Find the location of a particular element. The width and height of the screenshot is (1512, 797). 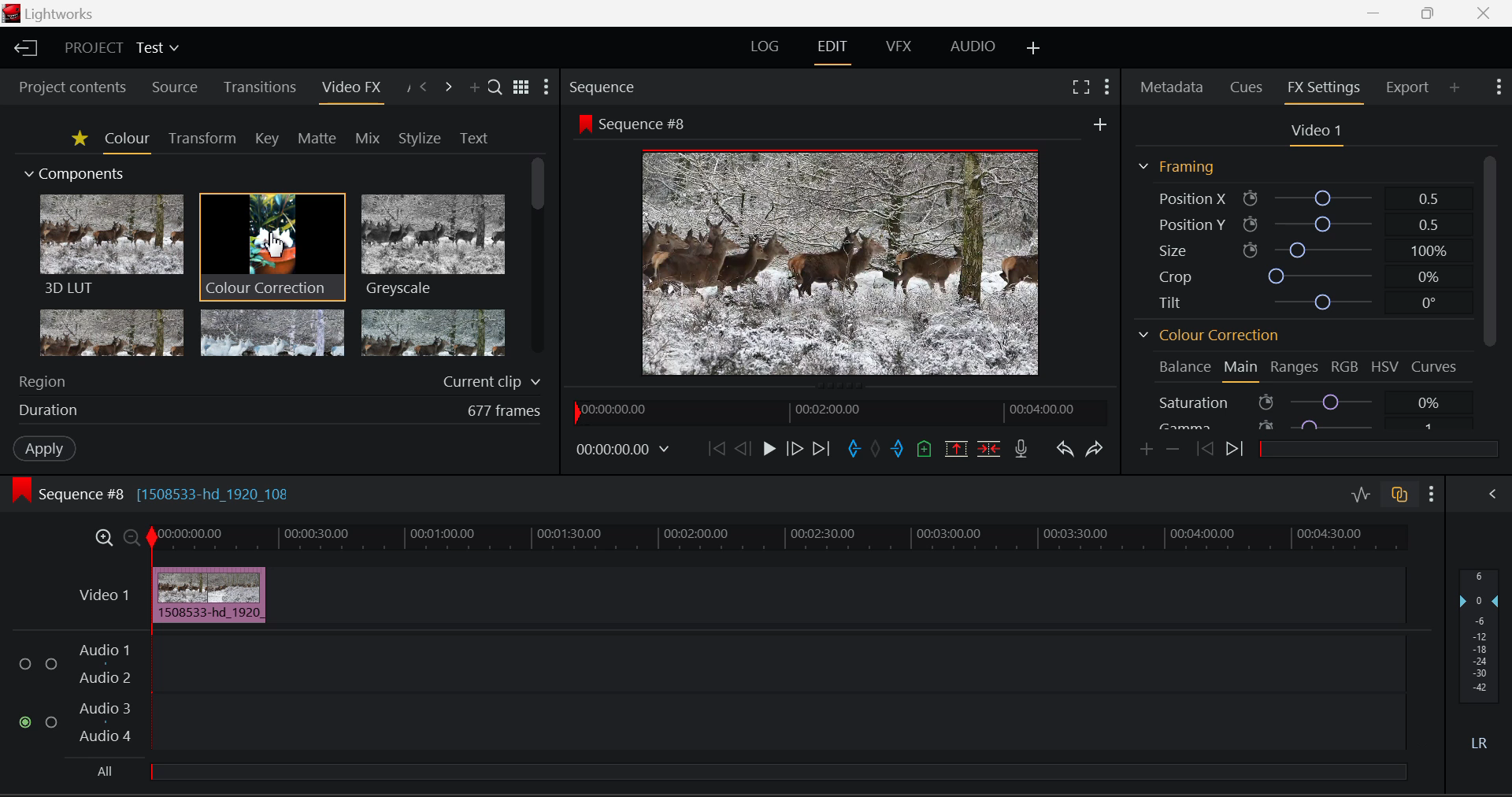

Duration is located at coordinates (279, 409).